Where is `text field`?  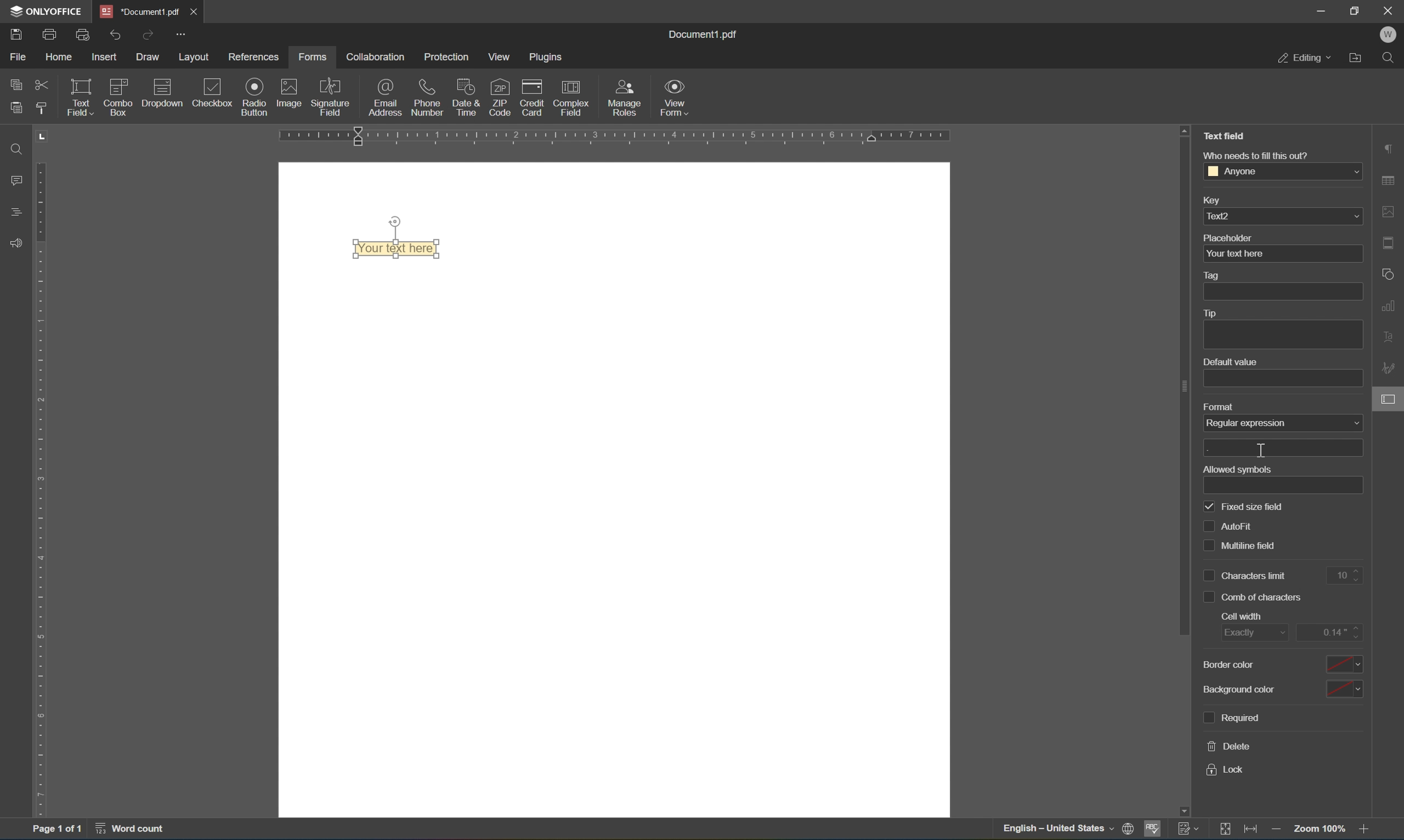
text field is located at coordinates (391, 250).